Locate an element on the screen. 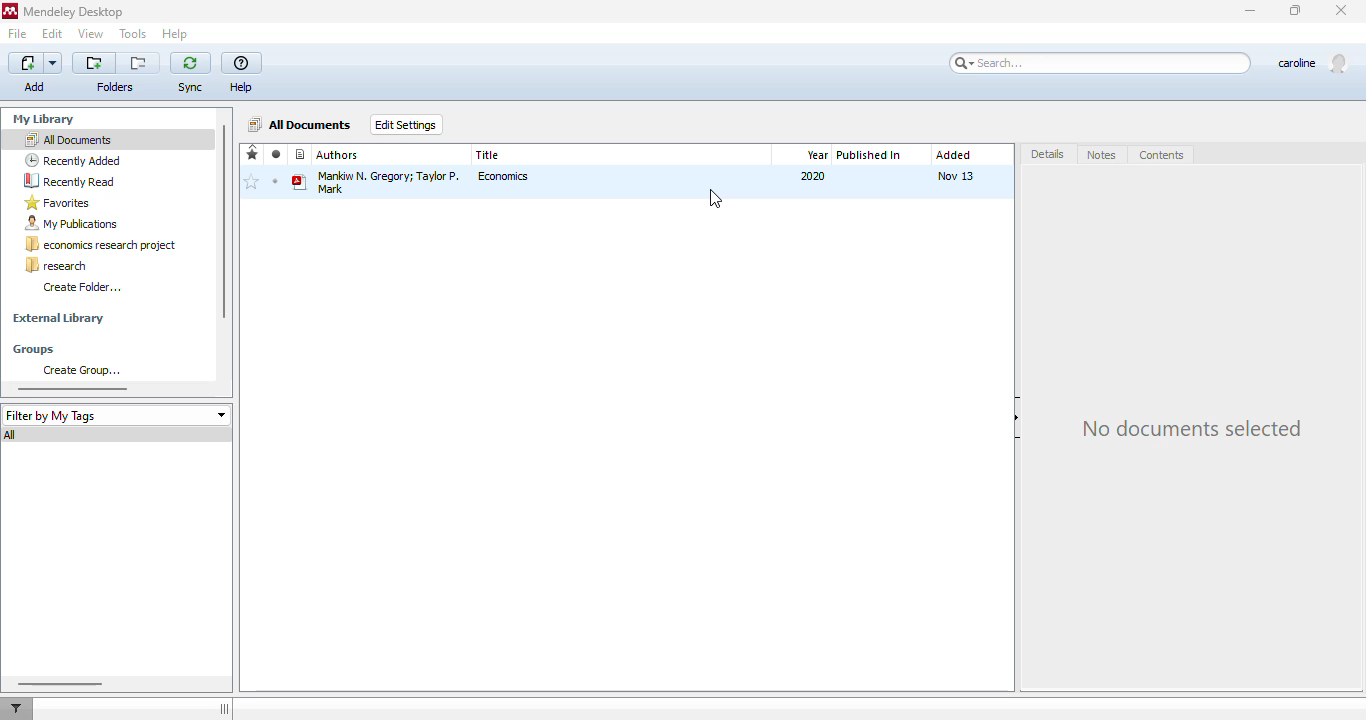 This screenshot has width=1366, height=720. create folder is located at coordinates (85, 287).